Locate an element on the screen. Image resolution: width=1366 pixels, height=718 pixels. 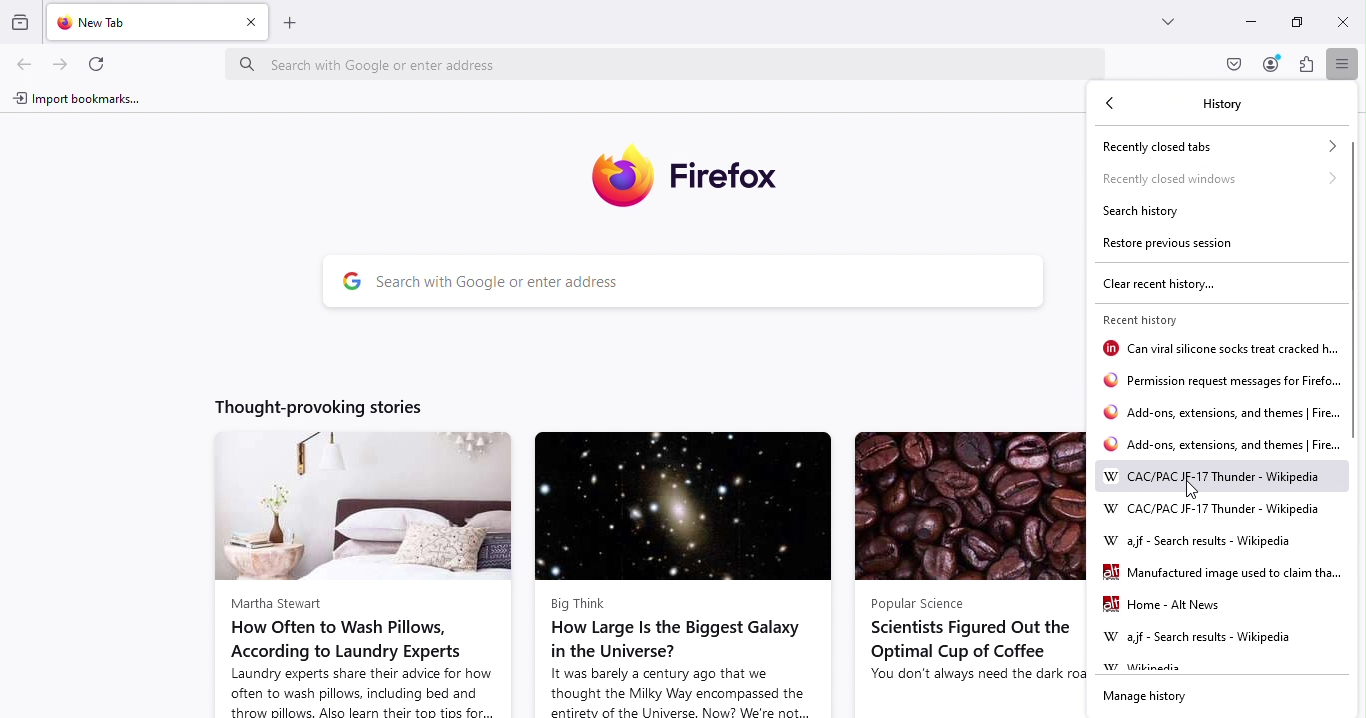
news article from big think is located at coordinates (681, 573).